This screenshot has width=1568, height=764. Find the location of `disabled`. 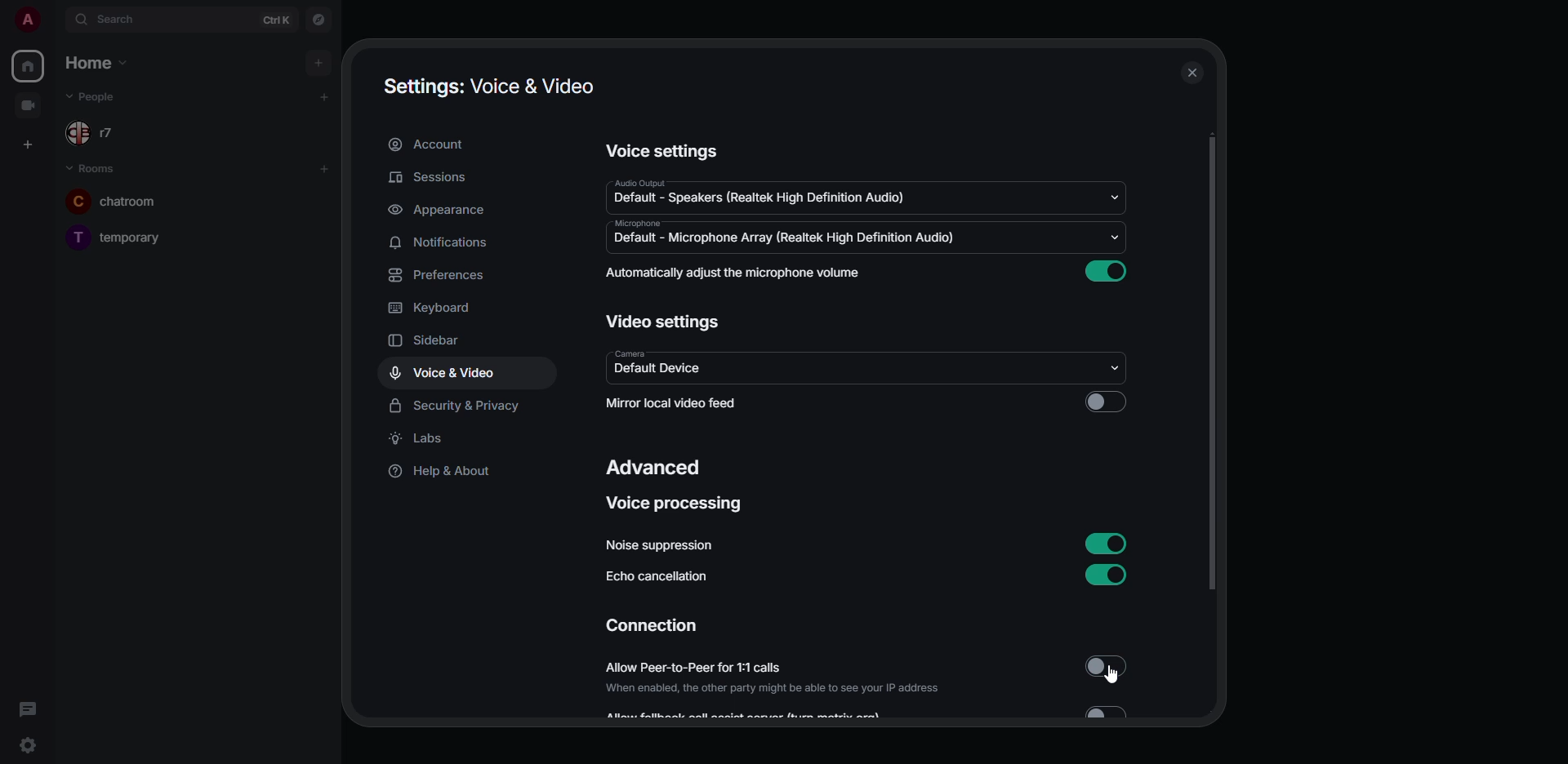

disabled is located at coordinates (1104, 664).